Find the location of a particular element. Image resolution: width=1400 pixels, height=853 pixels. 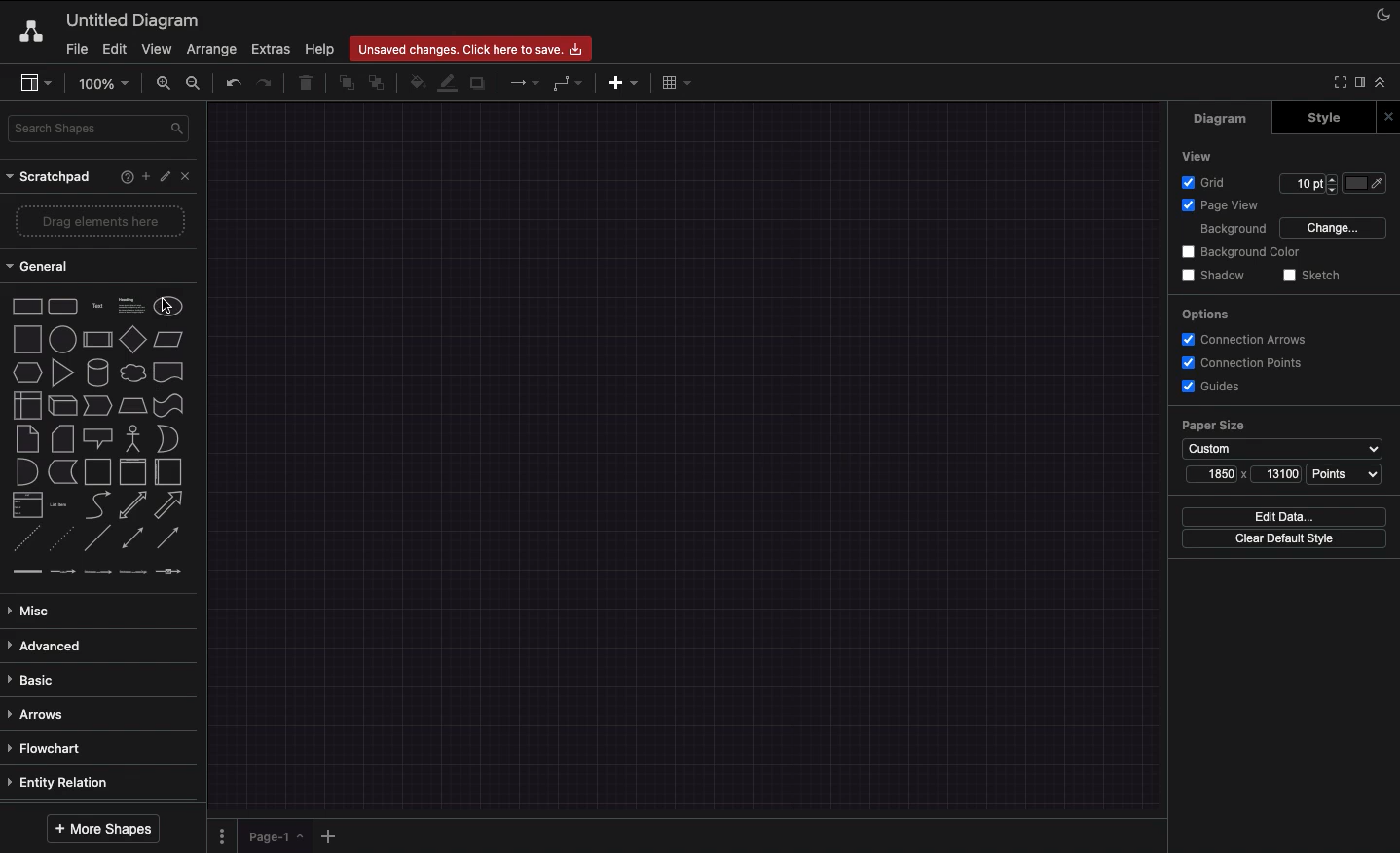

Options is located at coordinates (1203, 314).